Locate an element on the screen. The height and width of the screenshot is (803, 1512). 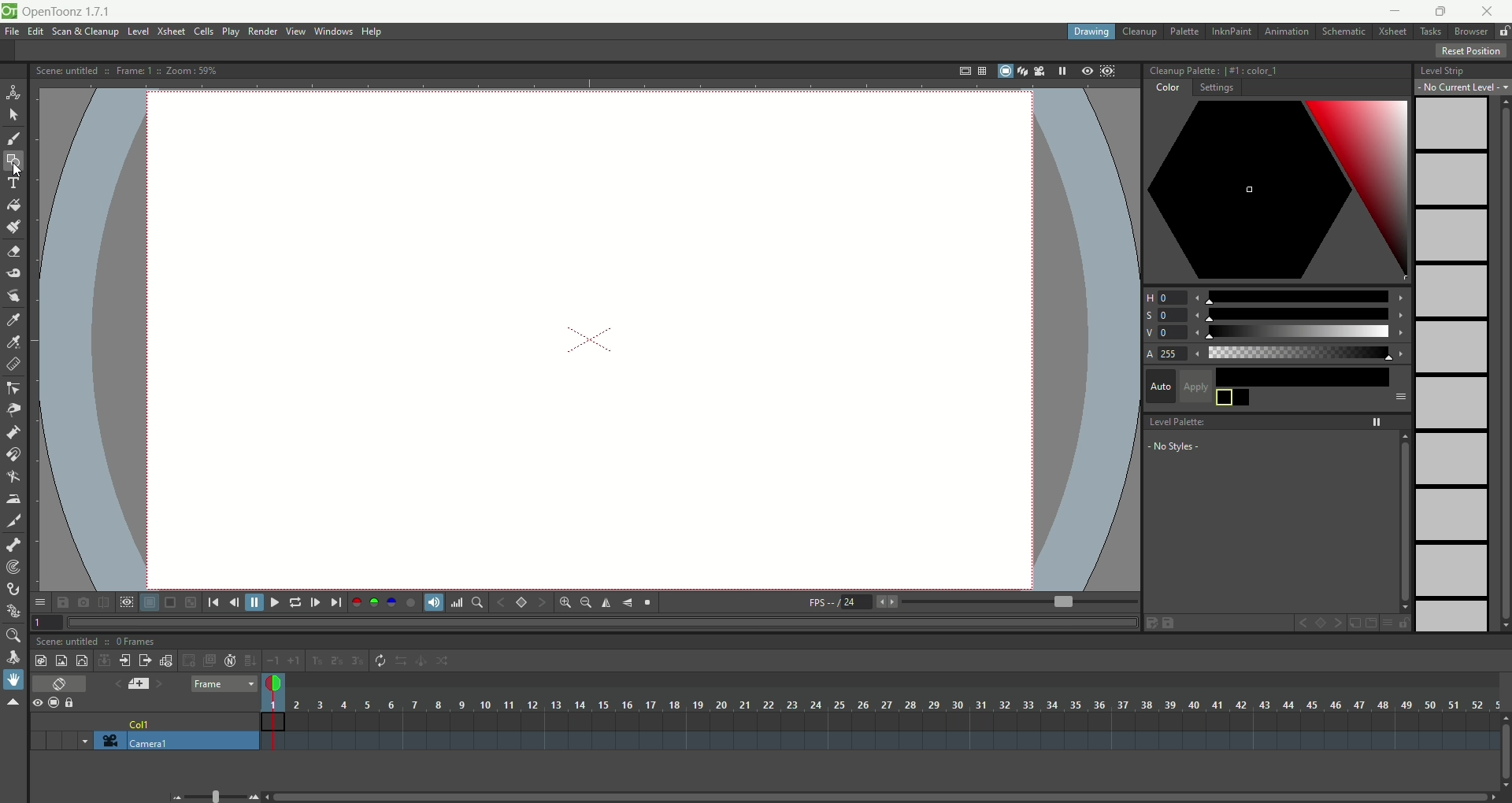
view is located at coordinates (296, 31).